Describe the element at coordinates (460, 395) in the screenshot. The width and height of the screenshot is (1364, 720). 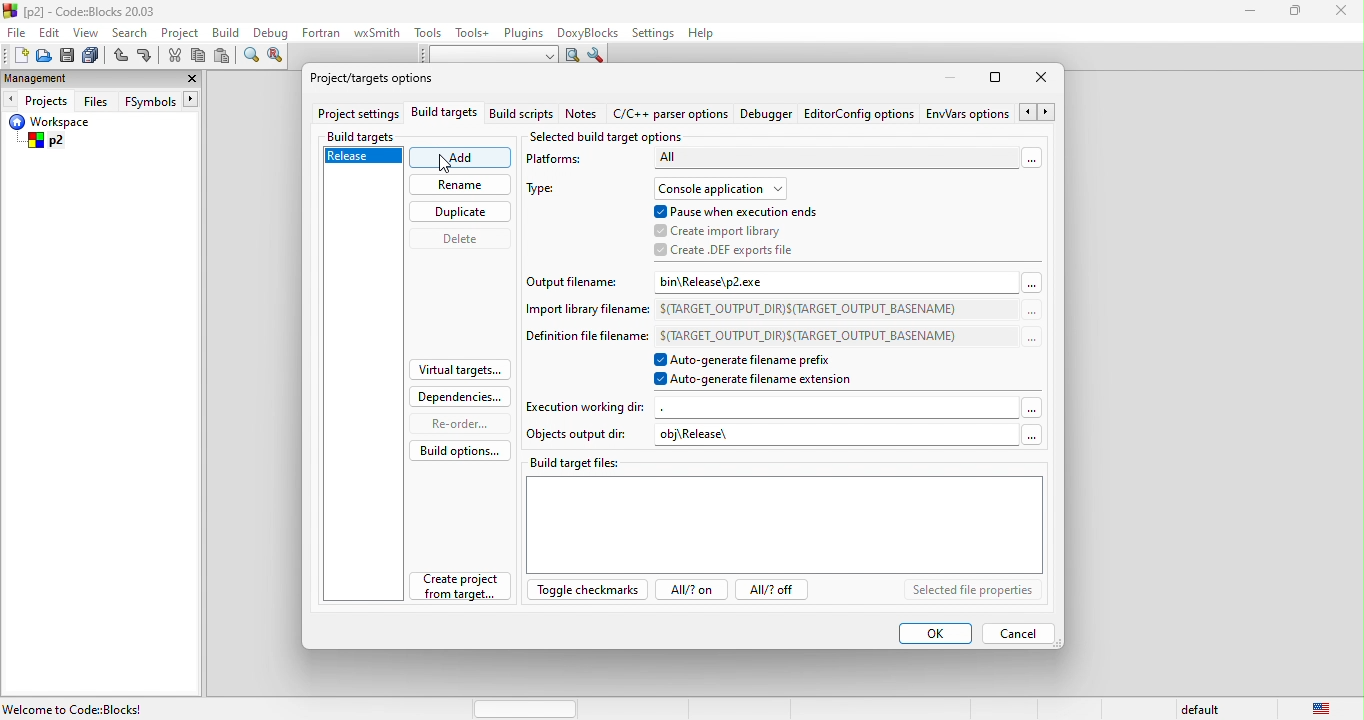
I see `dependencies` at that location.